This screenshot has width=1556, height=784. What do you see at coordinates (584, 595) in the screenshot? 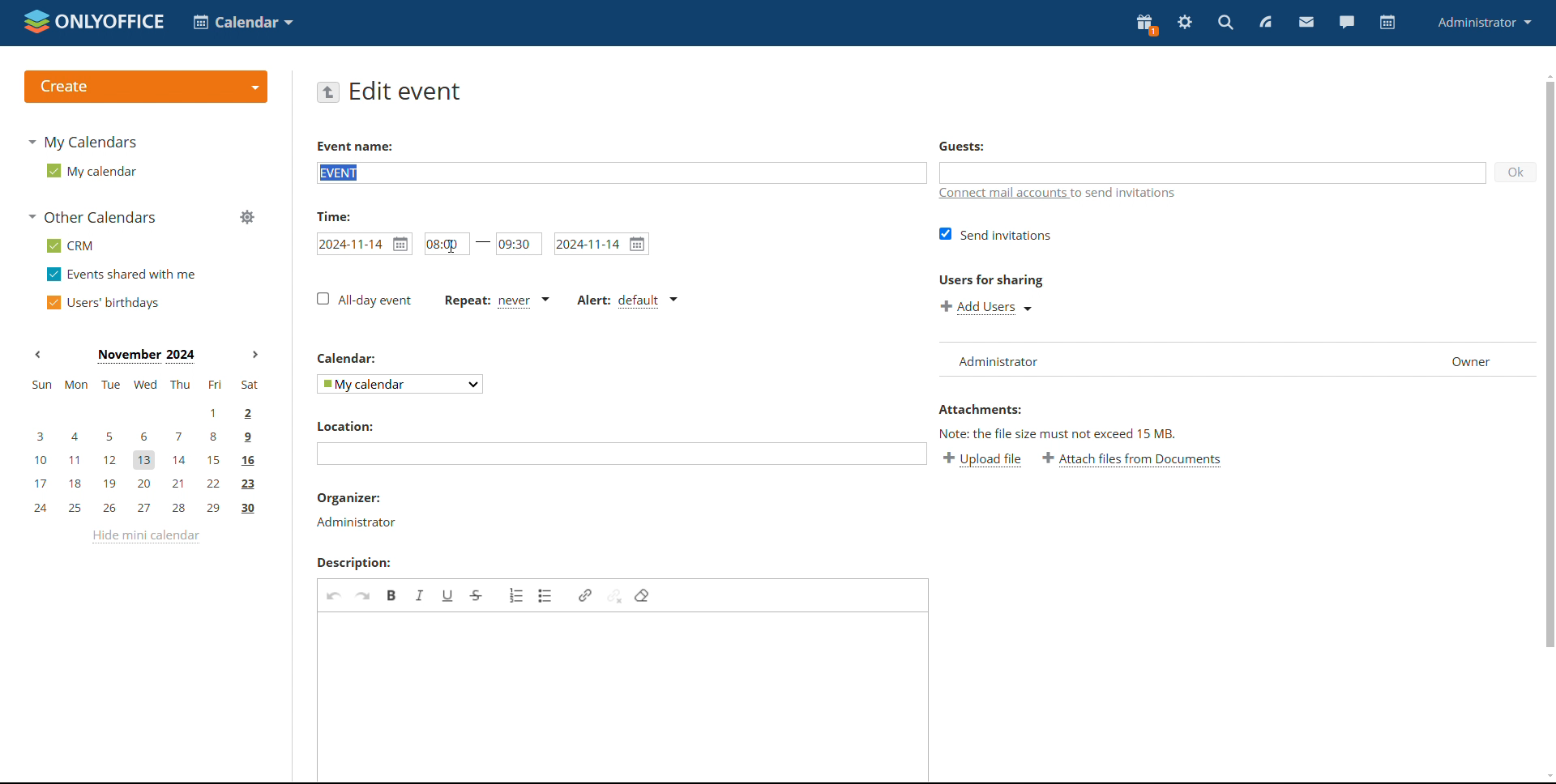
I see `link` at bounding box center [584, 595].